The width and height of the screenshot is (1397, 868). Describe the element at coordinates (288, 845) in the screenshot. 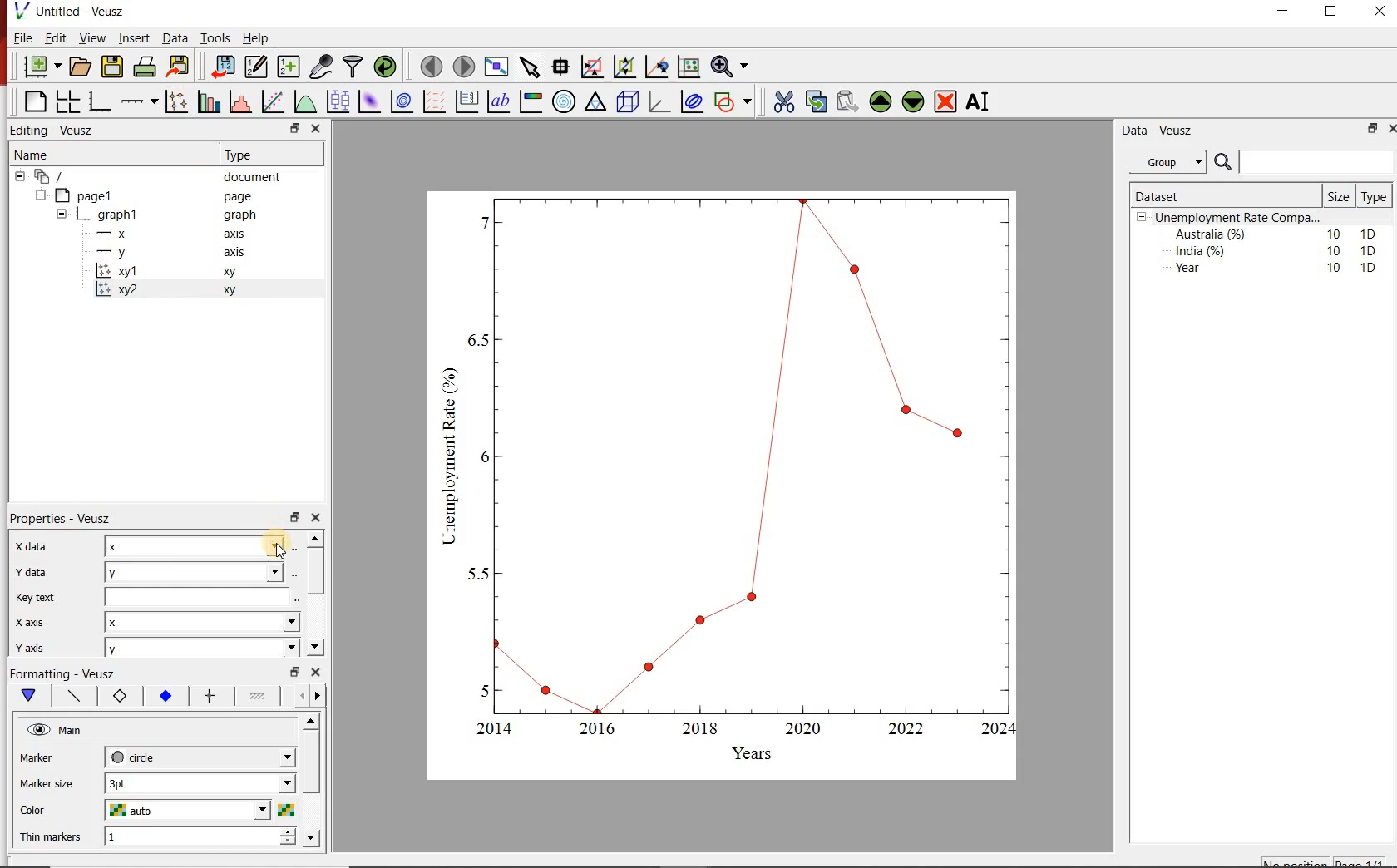

I see `decrease` at that location.